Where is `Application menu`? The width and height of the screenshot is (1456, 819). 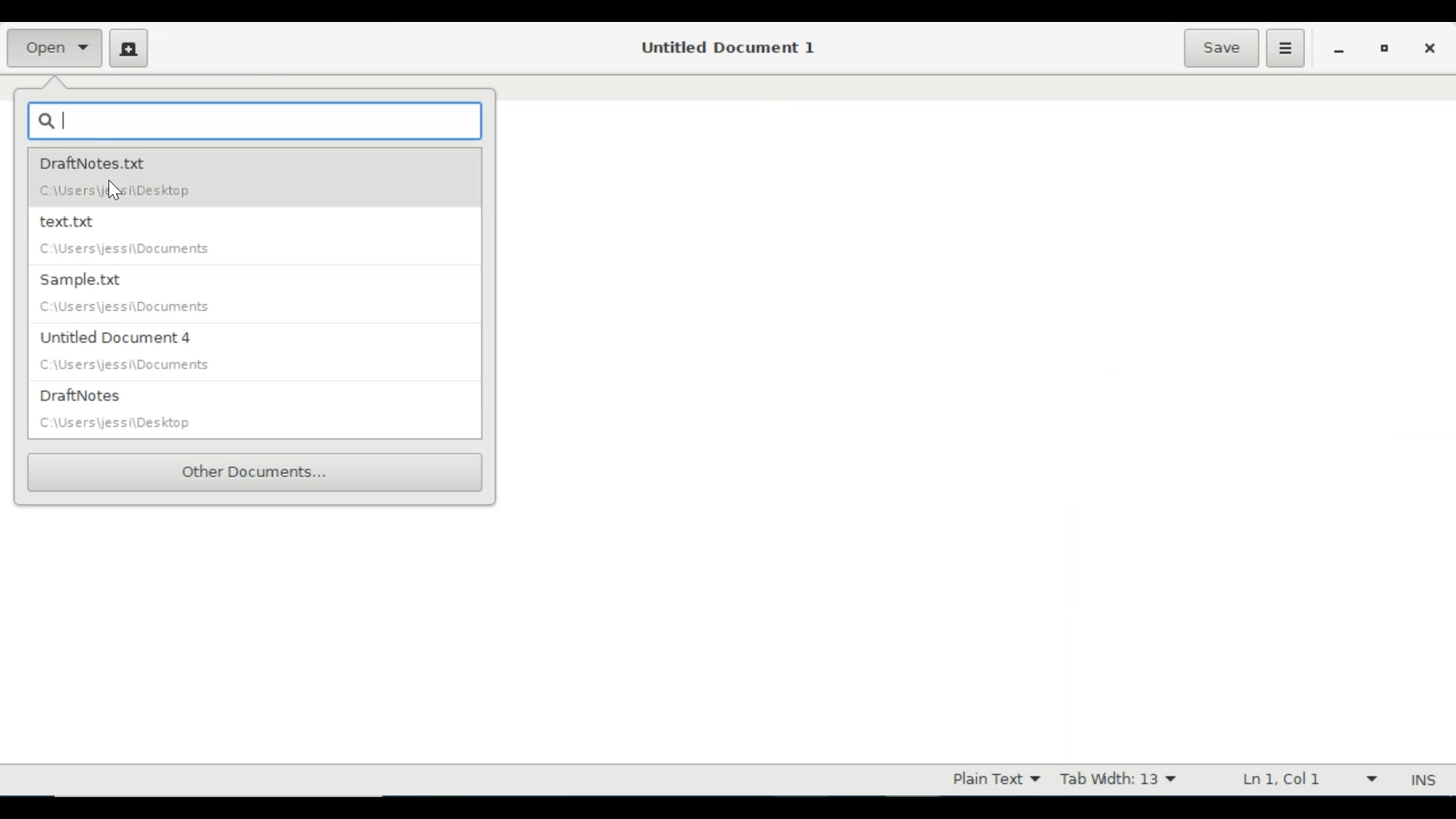 Application menu is located at coordinates (1285, 49).